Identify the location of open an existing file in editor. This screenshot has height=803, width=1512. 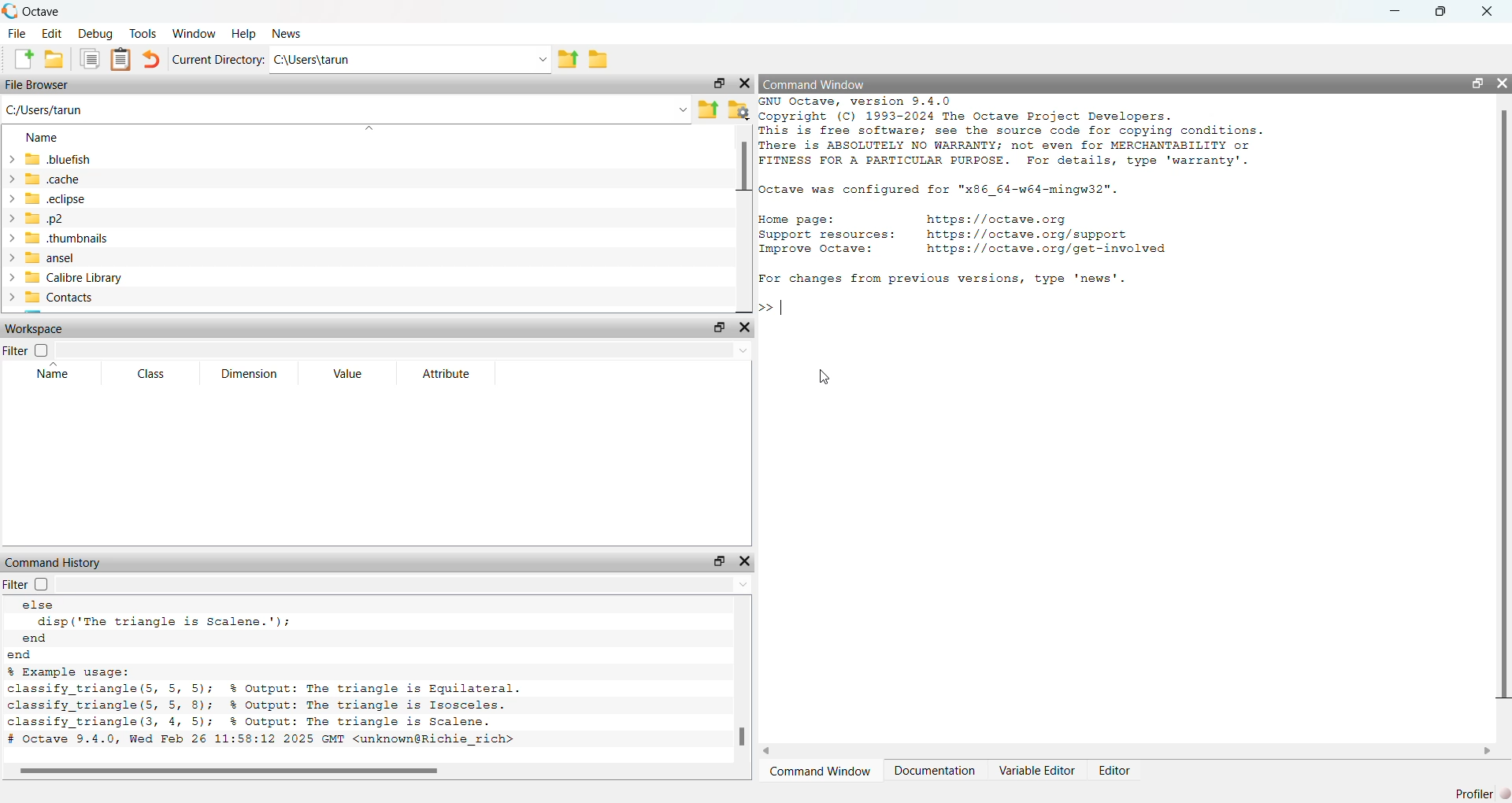
(54, 59).